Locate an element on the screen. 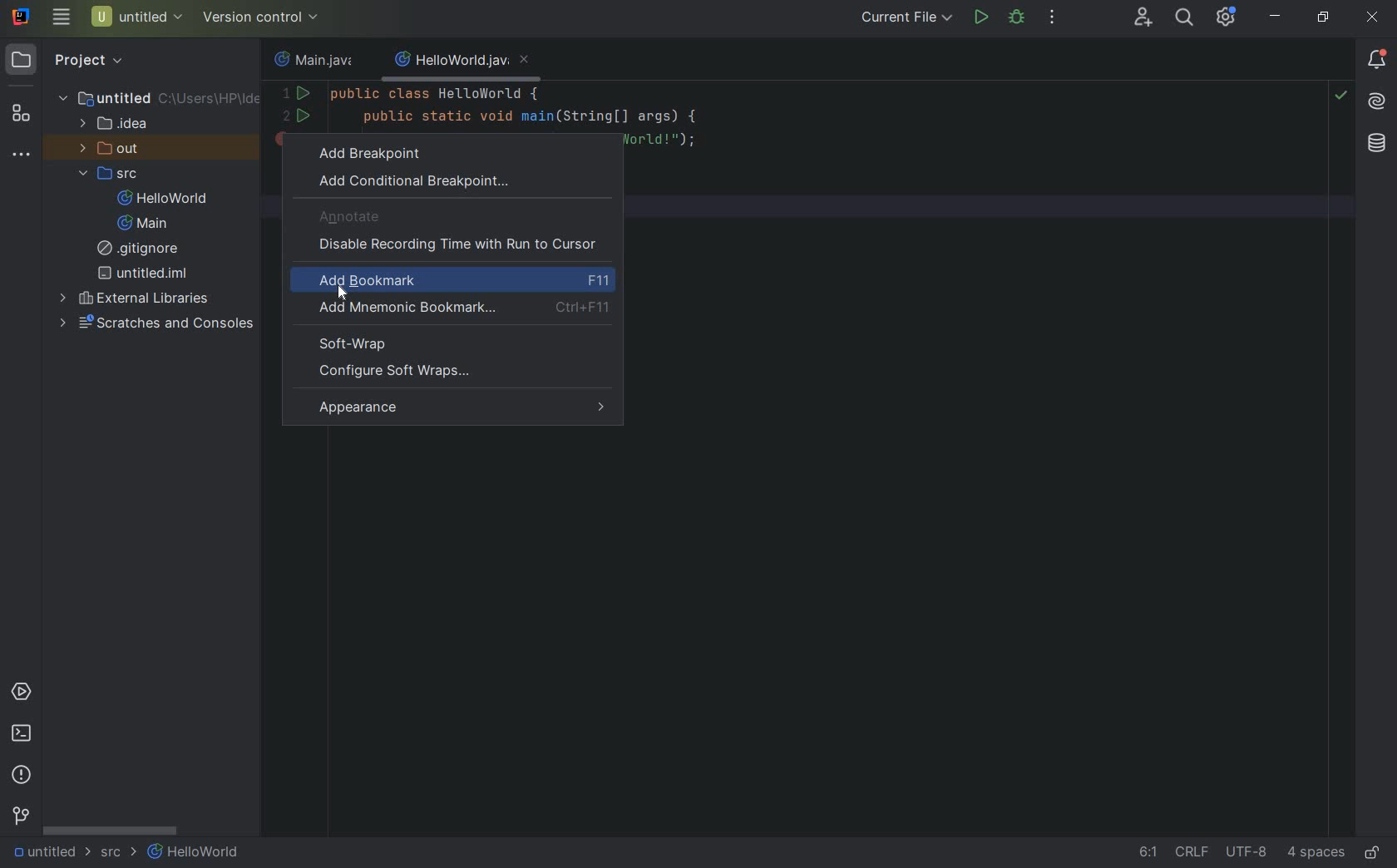 This screenshot has width=1397, height=868. untitled is located at coordinates (43, 853).